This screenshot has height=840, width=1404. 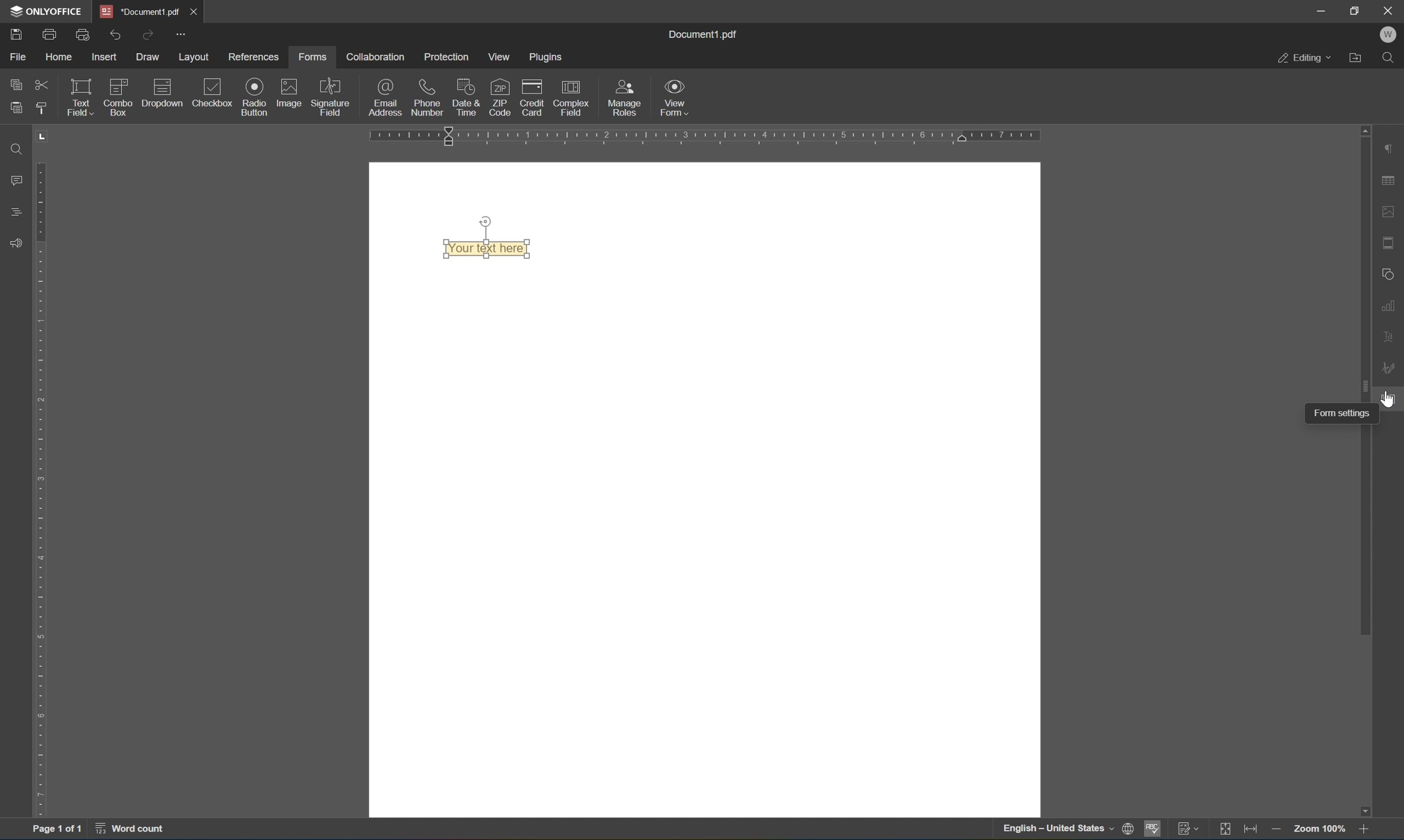 What do you see at coordinates (1390, 303) in the screenshot?
I see `chart settings` at bounding box center [1390, 303].